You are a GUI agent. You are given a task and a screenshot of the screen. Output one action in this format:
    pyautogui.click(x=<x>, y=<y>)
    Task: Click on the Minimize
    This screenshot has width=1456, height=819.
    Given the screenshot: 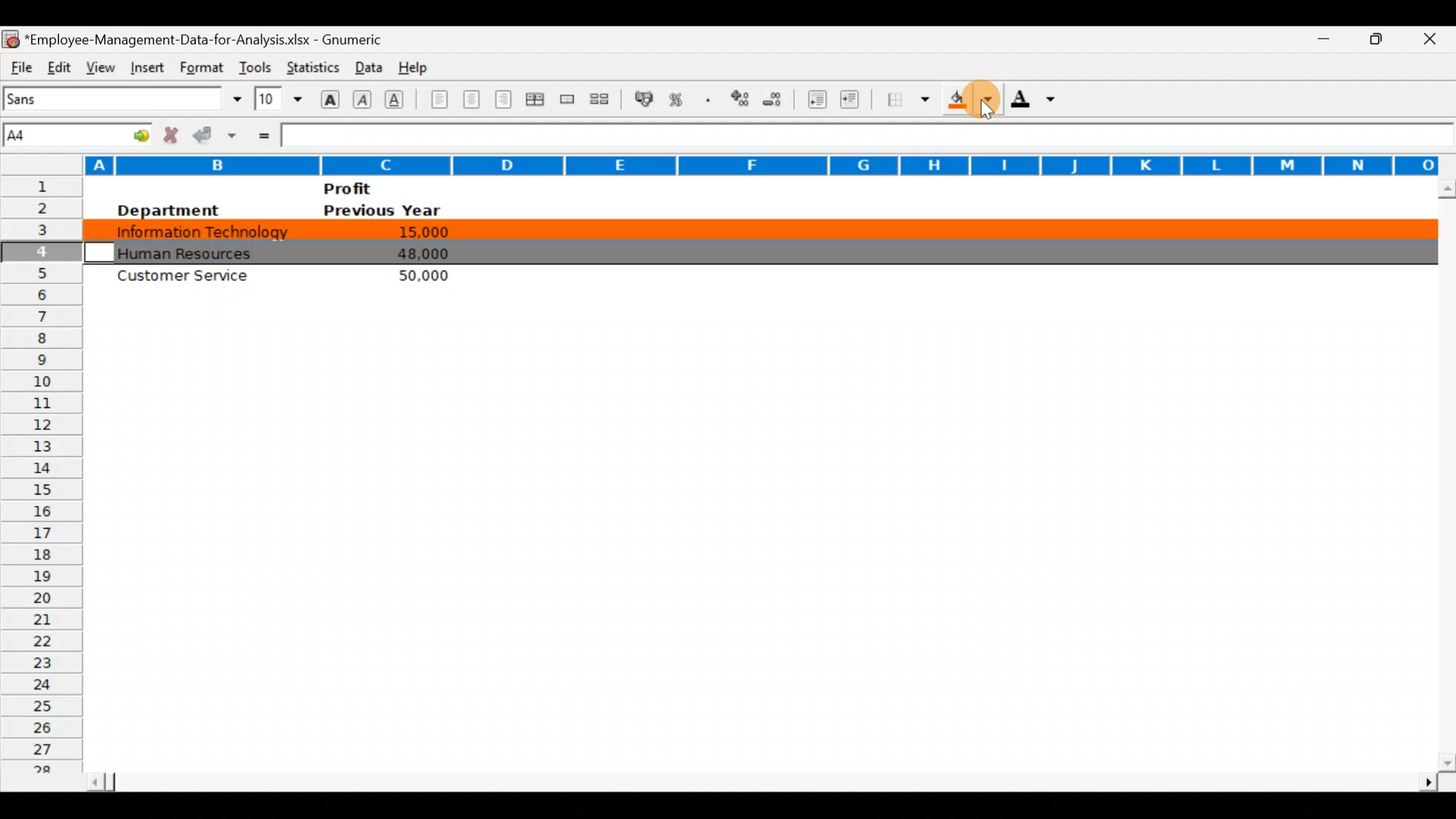 What is the action you would take?
    pyautogui.click(x=1315, y=39)
    